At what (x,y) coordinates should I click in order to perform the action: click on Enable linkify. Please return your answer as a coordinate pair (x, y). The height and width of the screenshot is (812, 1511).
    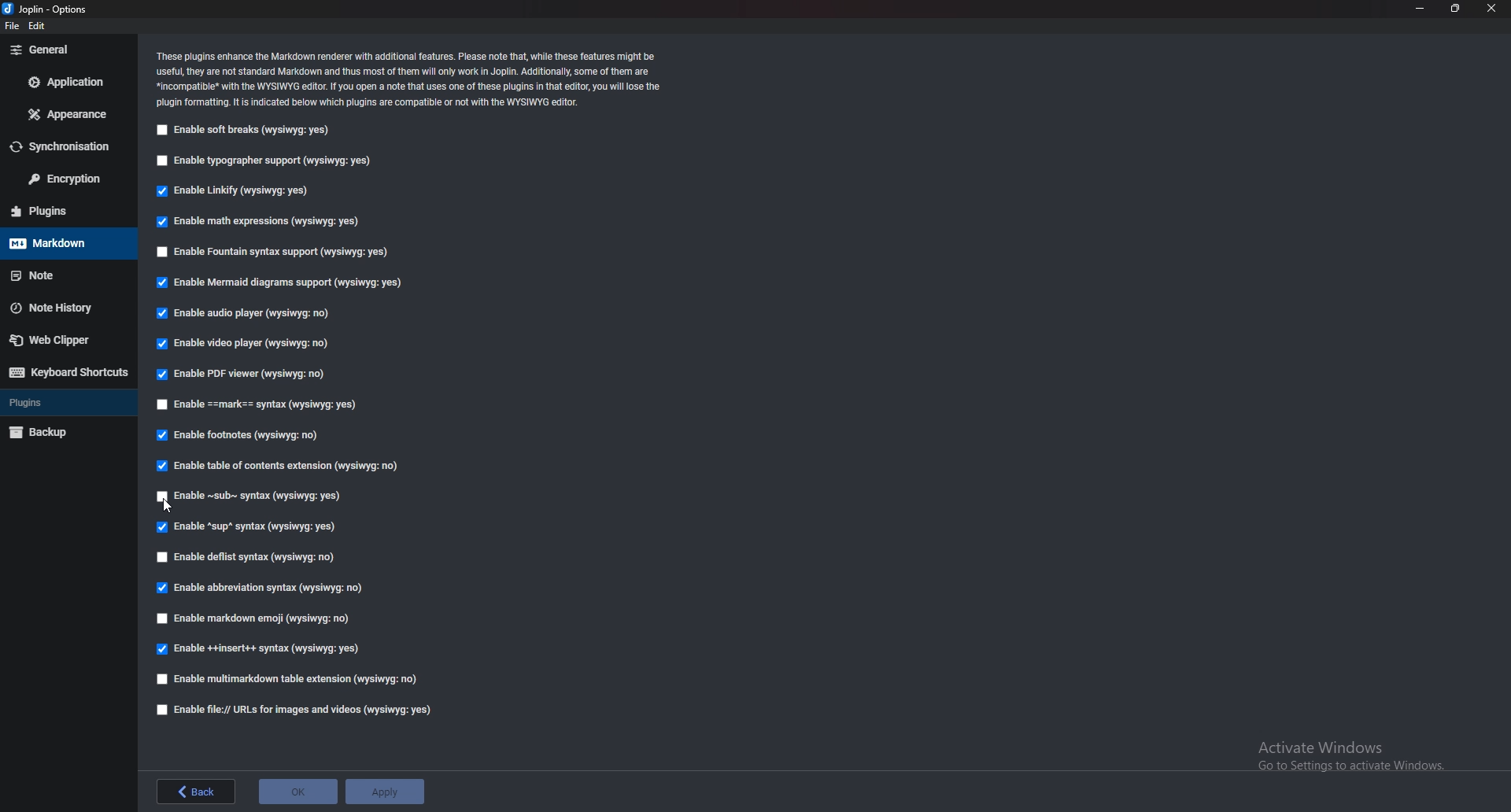
    Looking at the image, I should click on (236, 192).